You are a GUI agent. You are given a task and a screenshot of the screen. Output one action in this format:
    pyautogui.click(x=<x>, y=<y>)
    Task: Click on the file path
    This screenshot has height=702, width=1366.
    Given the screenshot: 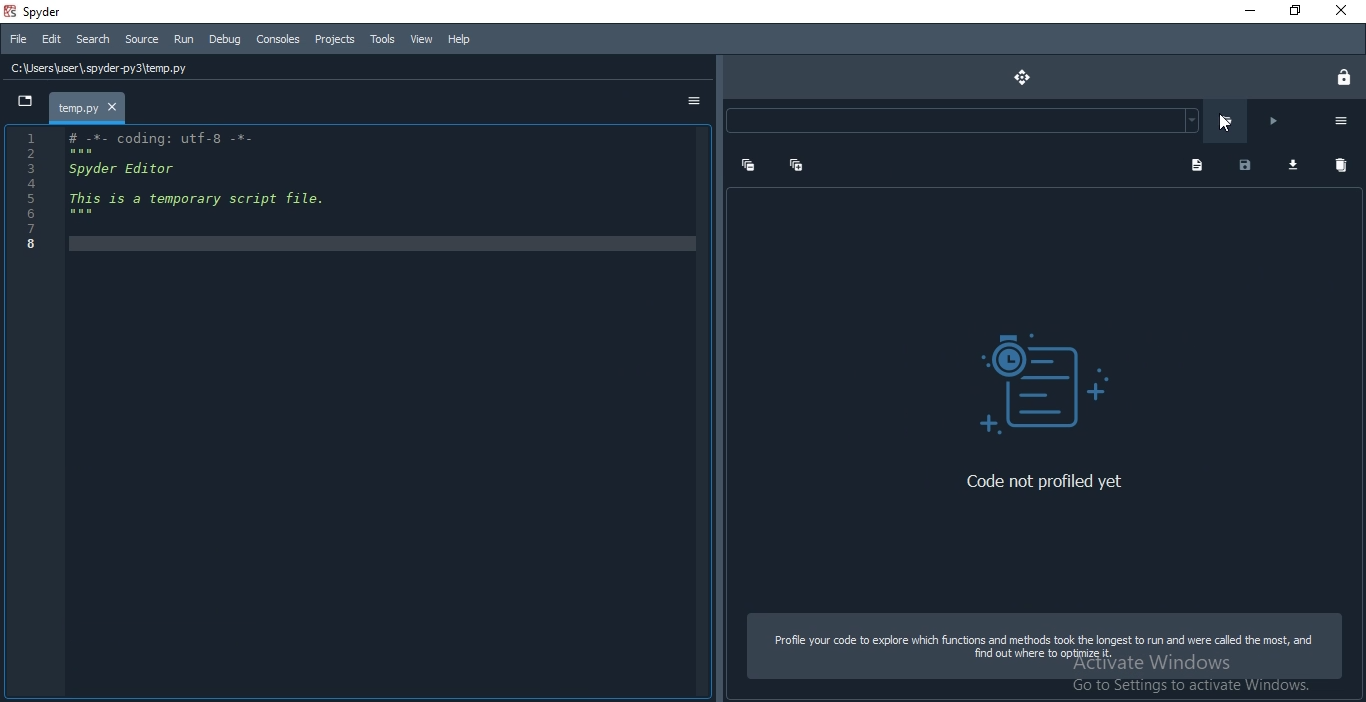 What is the action you would take?
    pyautogui.click(x=361, y=67)
    